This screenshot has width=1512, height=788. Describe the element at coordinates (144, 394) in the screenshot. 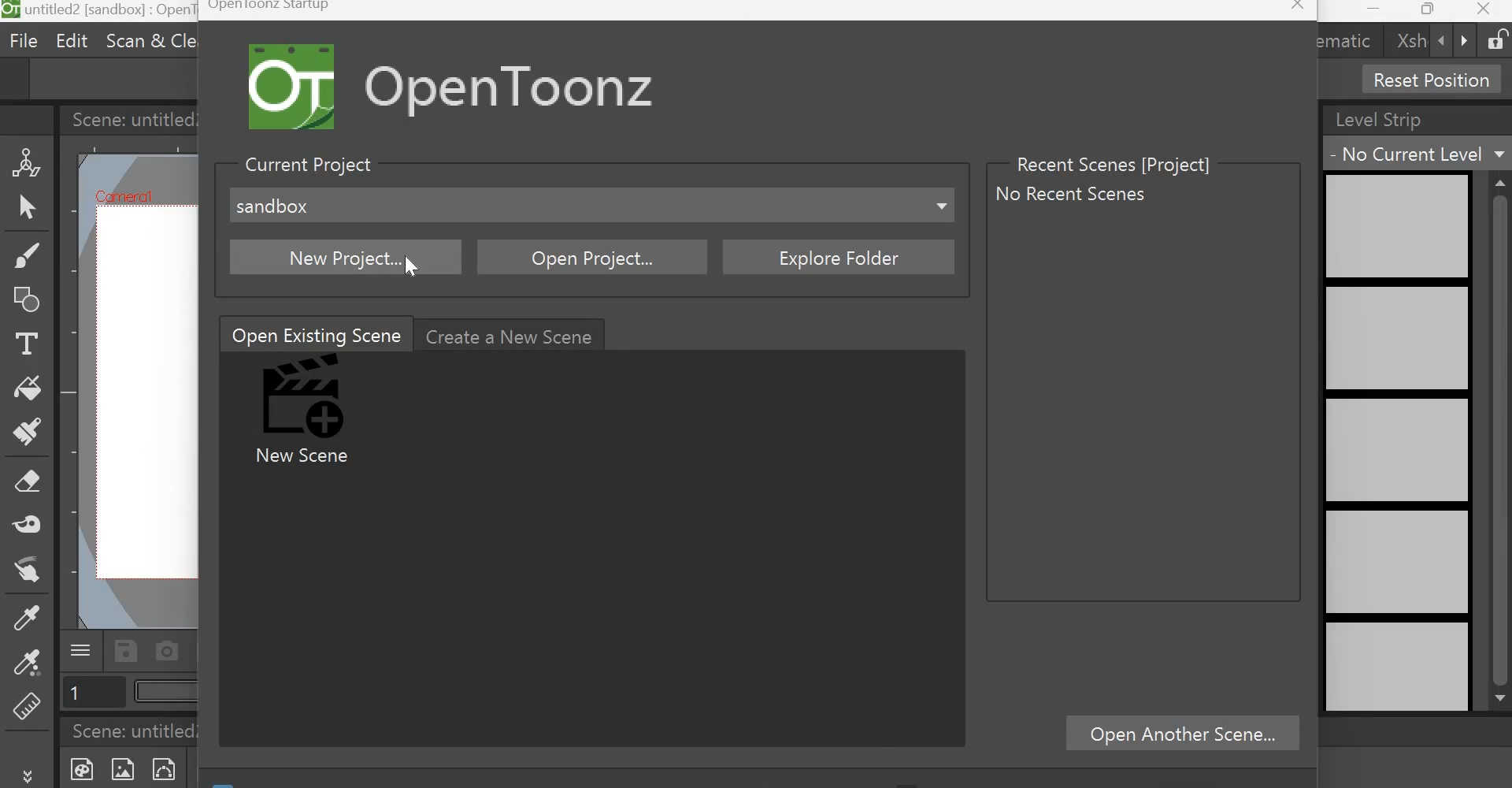

I see `working area` at that location.